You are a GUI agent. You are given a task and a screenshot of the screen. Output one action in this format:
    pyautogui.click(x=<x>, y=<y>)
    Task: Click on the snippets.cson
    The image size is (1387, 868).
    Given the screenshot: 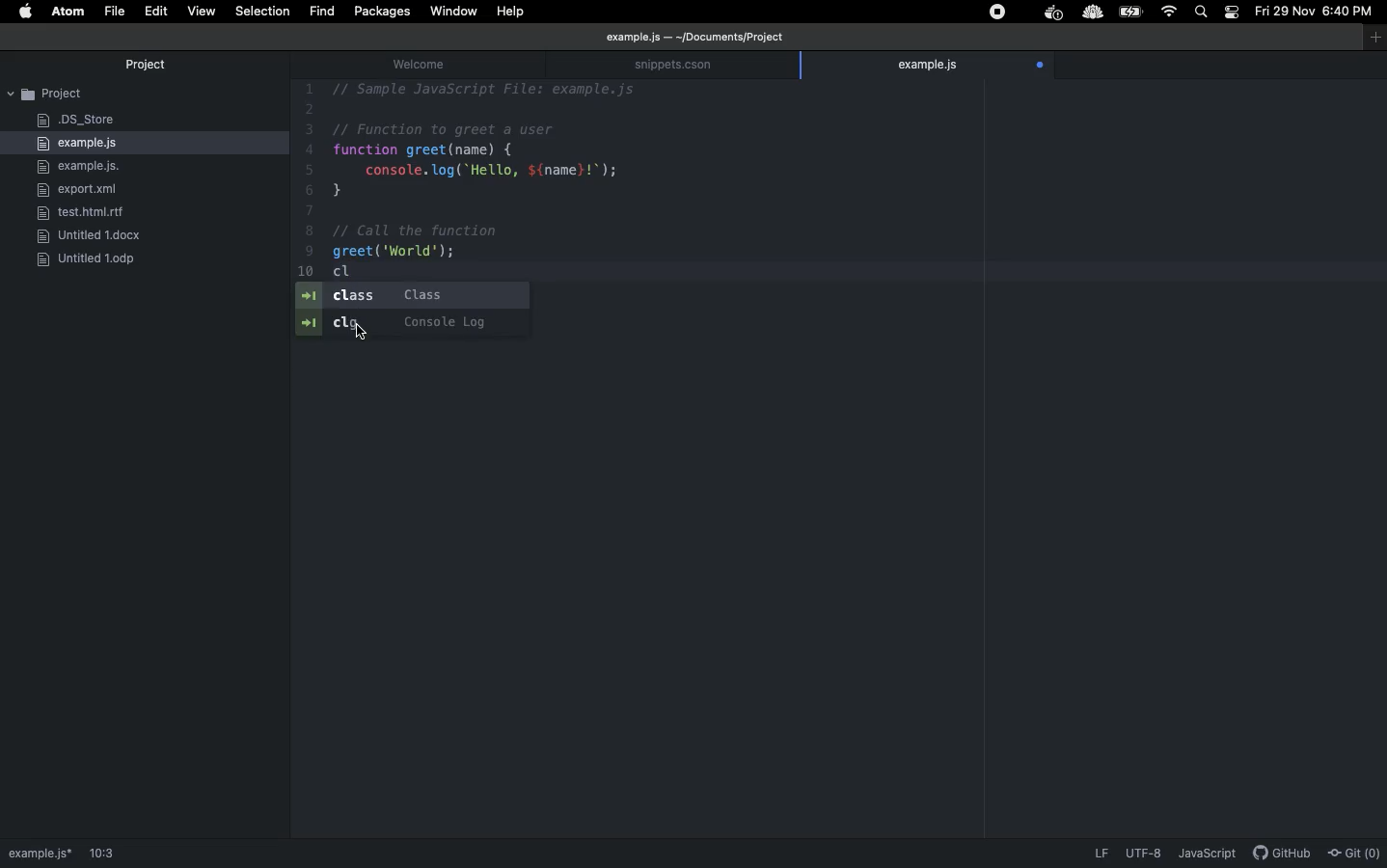 What is the action you would take?
    pyautogui.click(x=691, y=66)
    